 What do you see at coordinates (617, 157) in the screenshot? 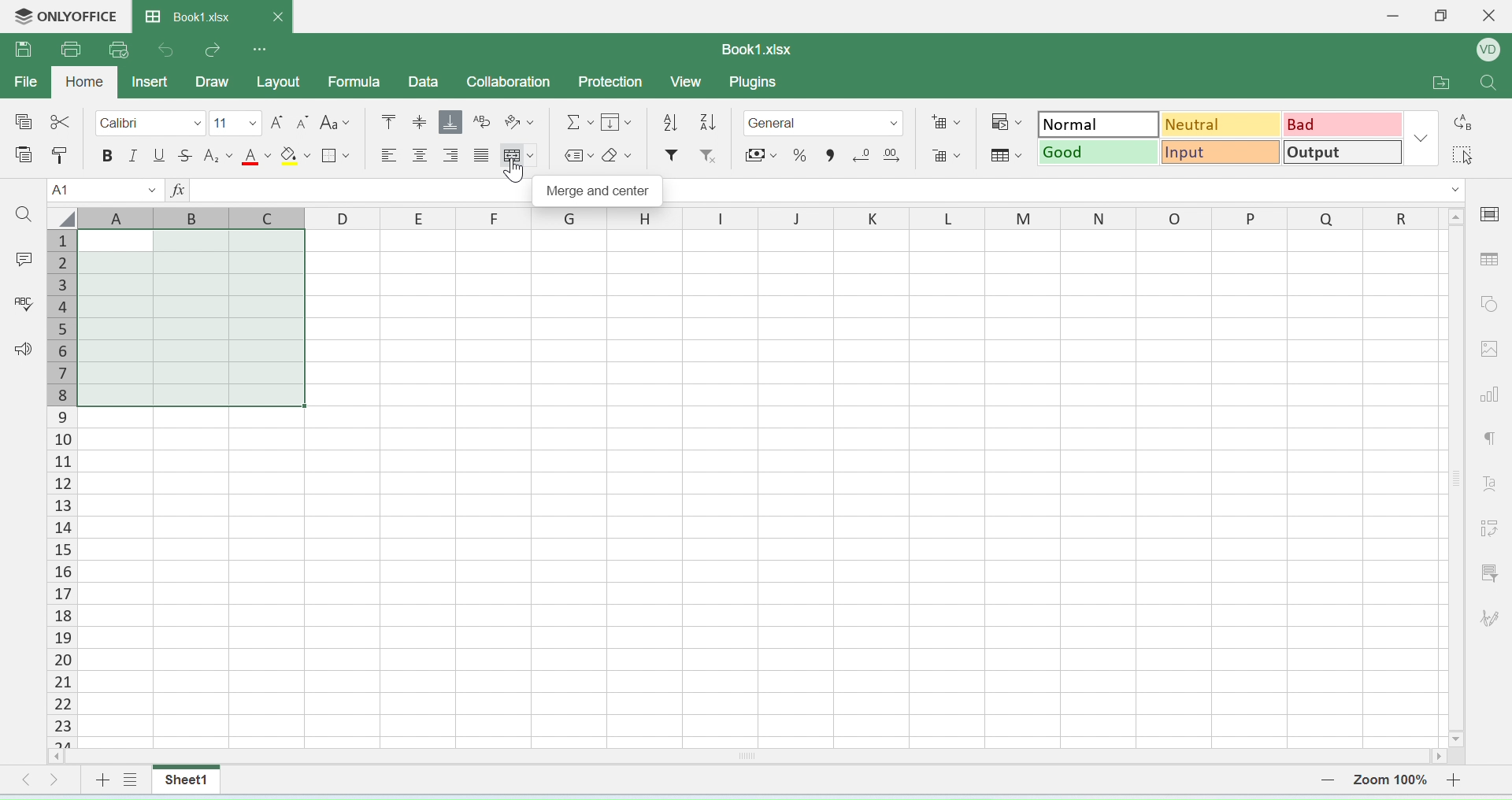
I see `erase` at bounding box center [617, 157].